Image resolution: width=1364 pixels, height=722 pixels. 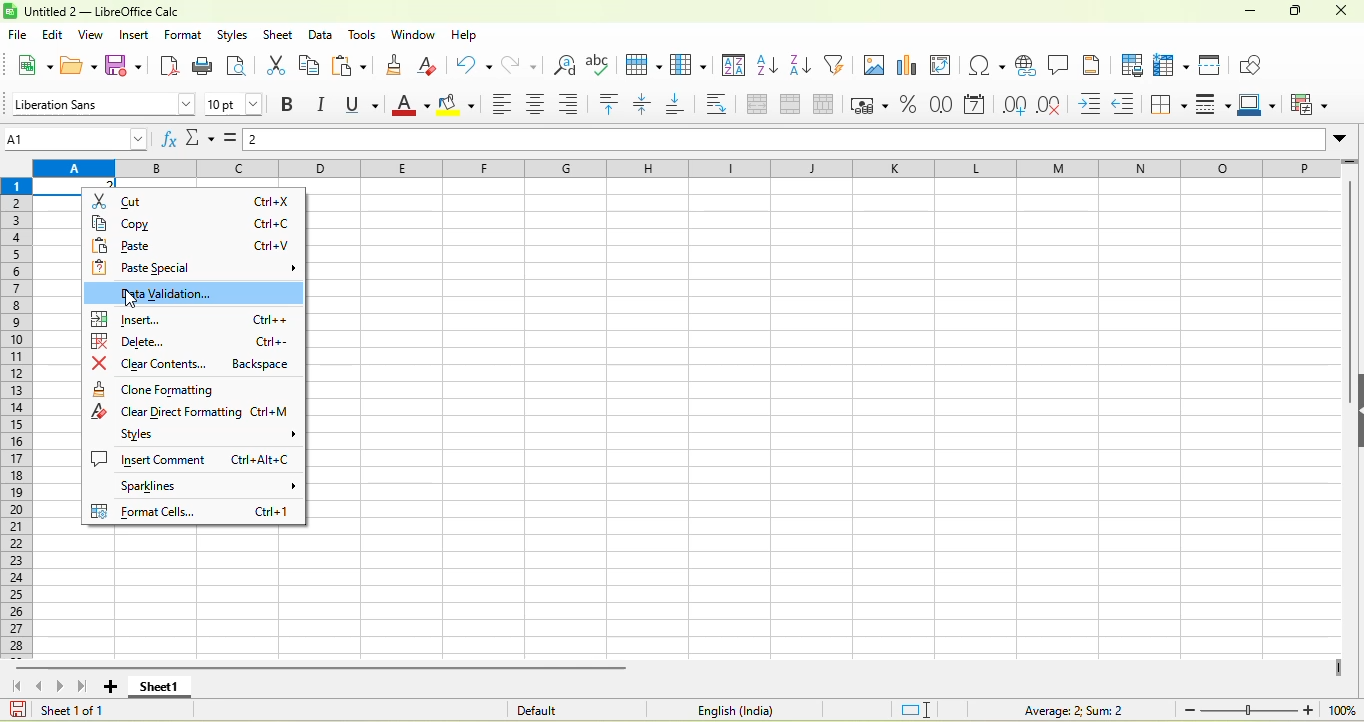 I want to click on cut, so click(x=196, y=204).